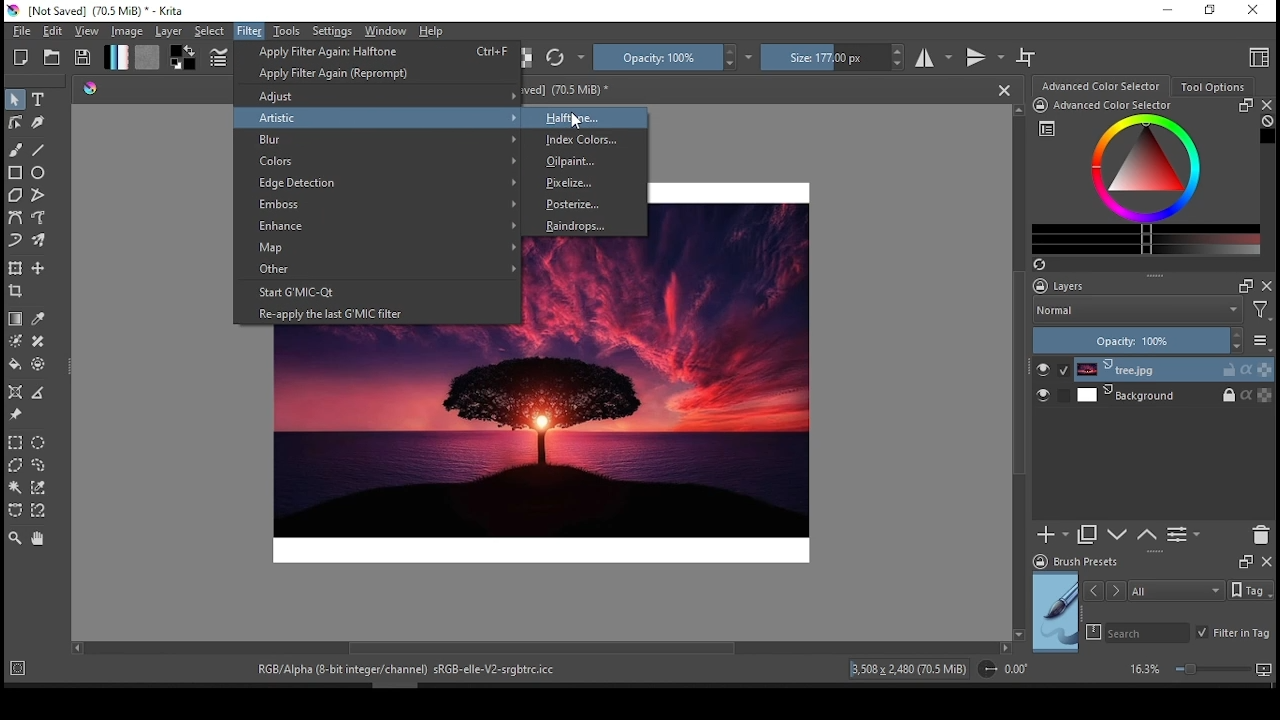 This screenshot has width=1280, height=720. I want to click on color selection wheel, so click(1102, 85).